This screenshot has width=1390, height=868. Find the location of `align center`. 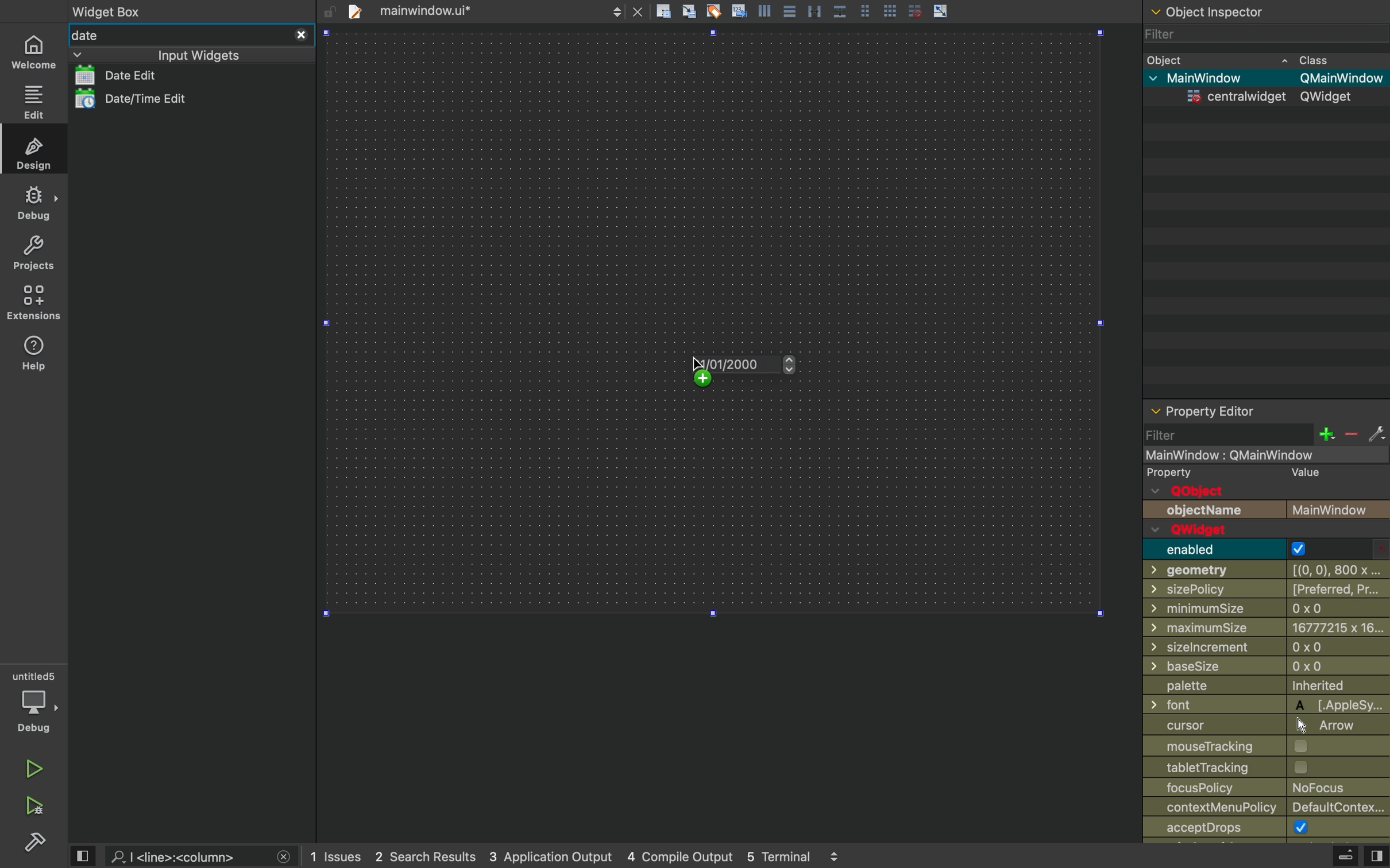

align center is located at coordinates (789, 10).